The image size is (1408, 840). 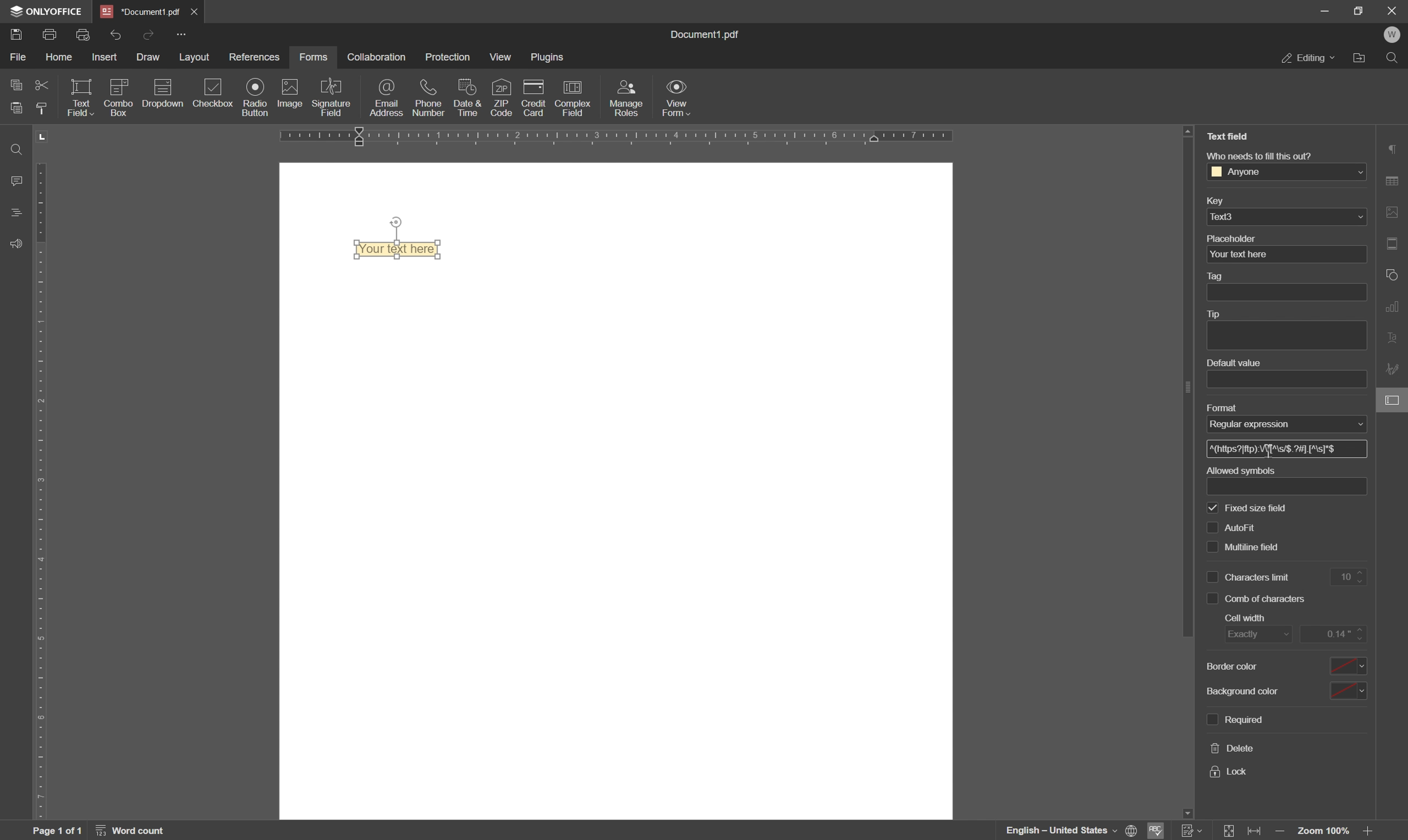 What do you see at coordinates (51, 36) in the screenshot?
I see `print` at bounding box center [51, 36].